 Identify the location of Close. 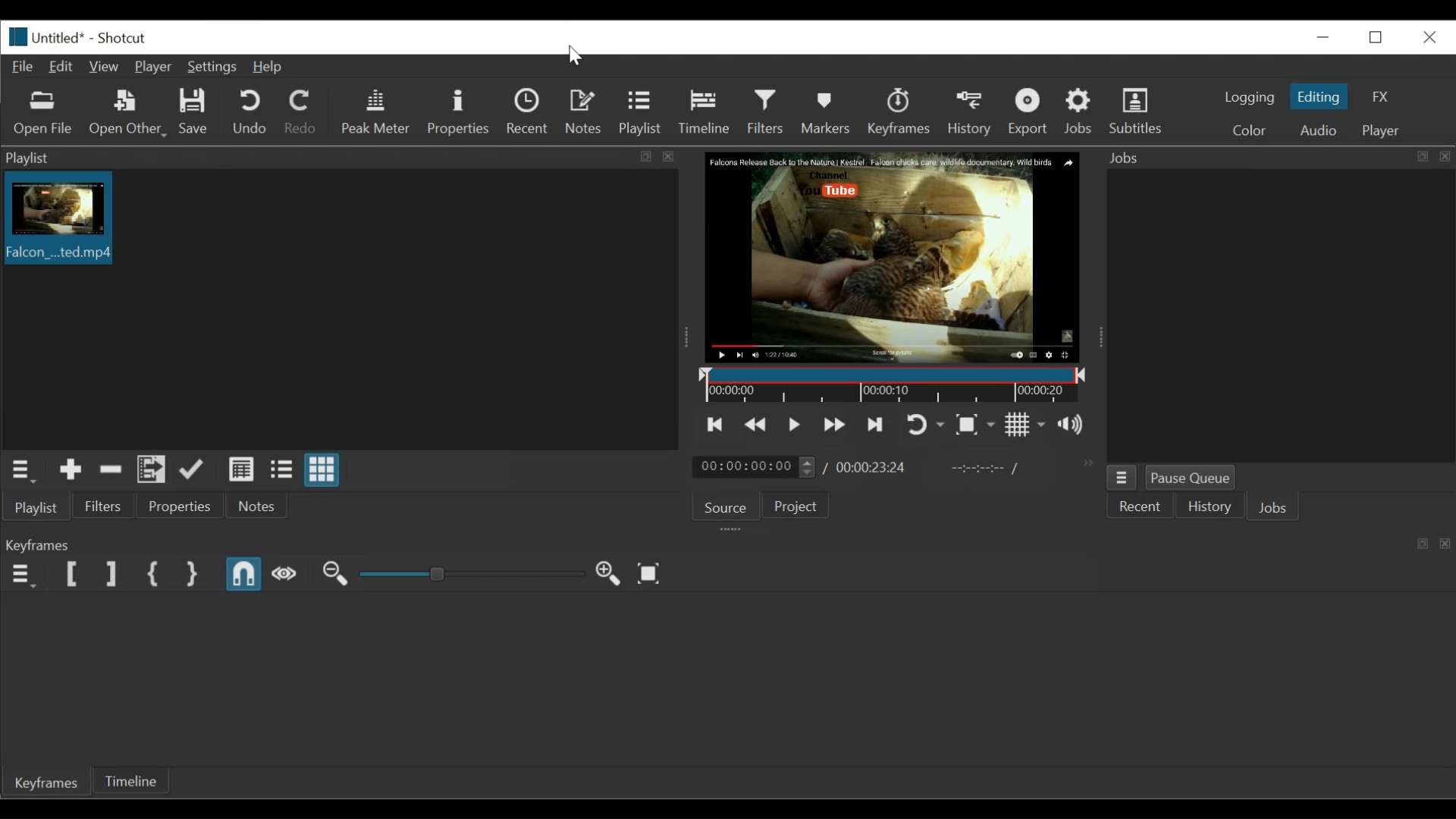
(1429, 37).